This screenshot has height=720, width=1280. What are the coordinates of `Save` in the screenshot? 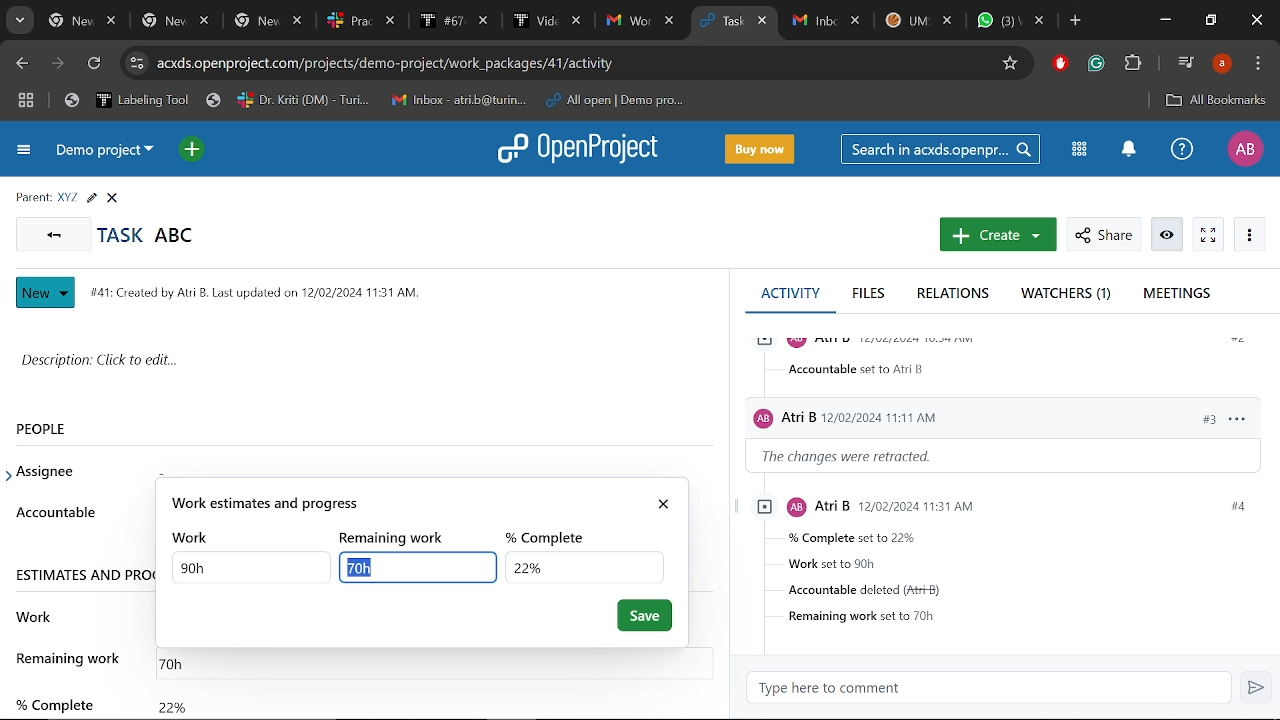 It's located at (645, 616).